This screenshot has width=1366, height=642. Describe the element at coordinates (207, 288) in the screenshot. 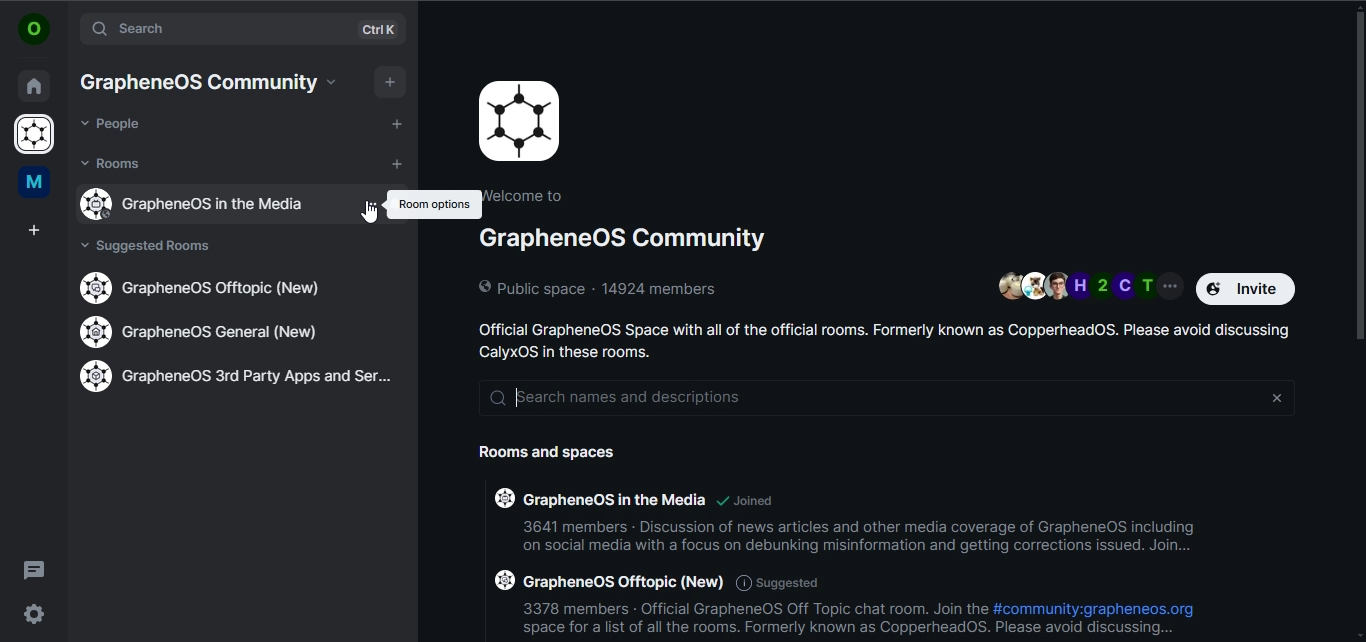

I see `grapheneOS offtopic` at that location.